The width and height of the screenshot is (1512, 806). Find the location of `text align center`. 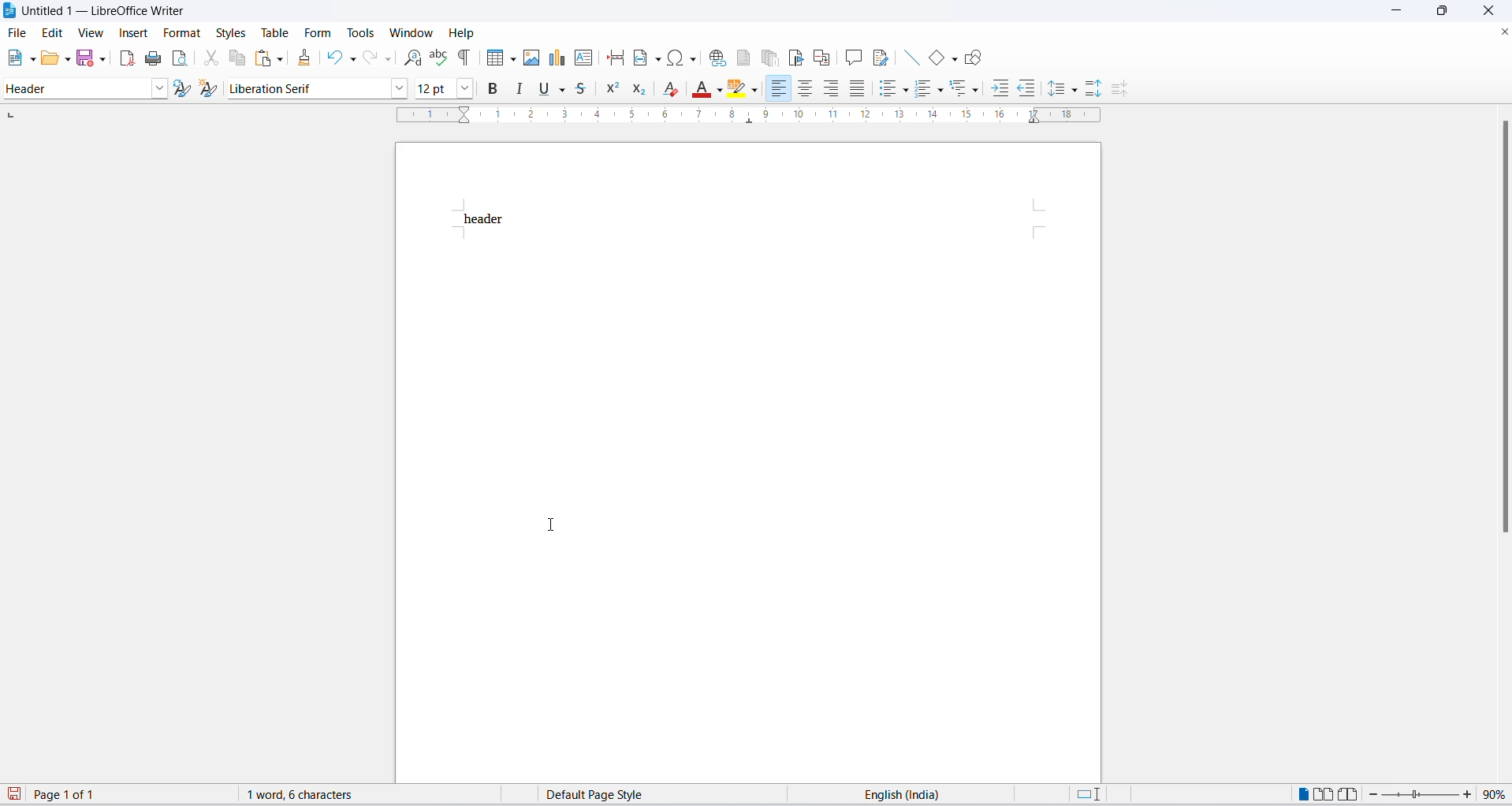

text align center is located at coordinates (809, 90).